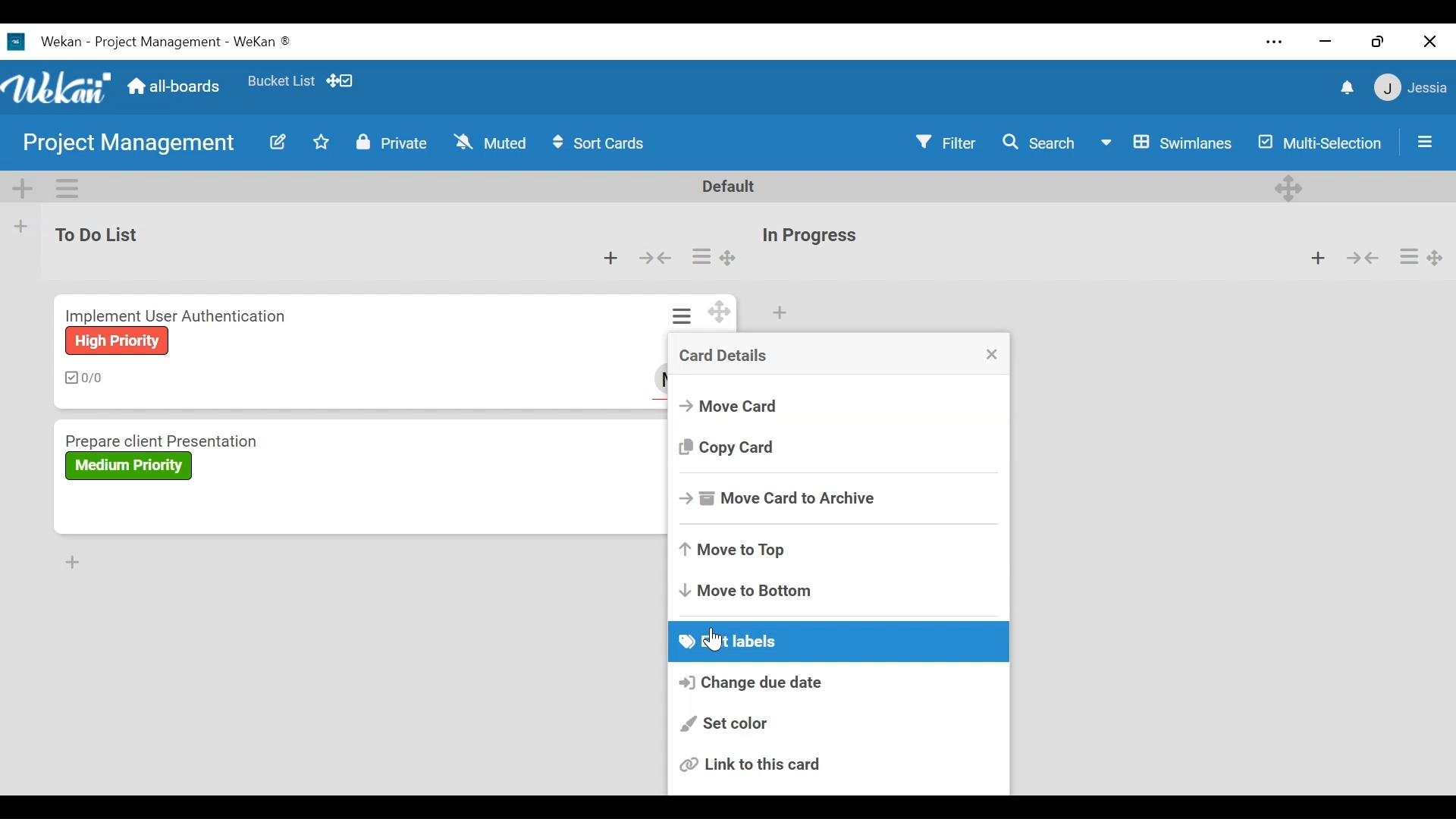 The height and width of the screenshot is (819, 1456). Describe the element at coordinates (1412, 89) in the screenshot. I see `Member Settings` at that location.